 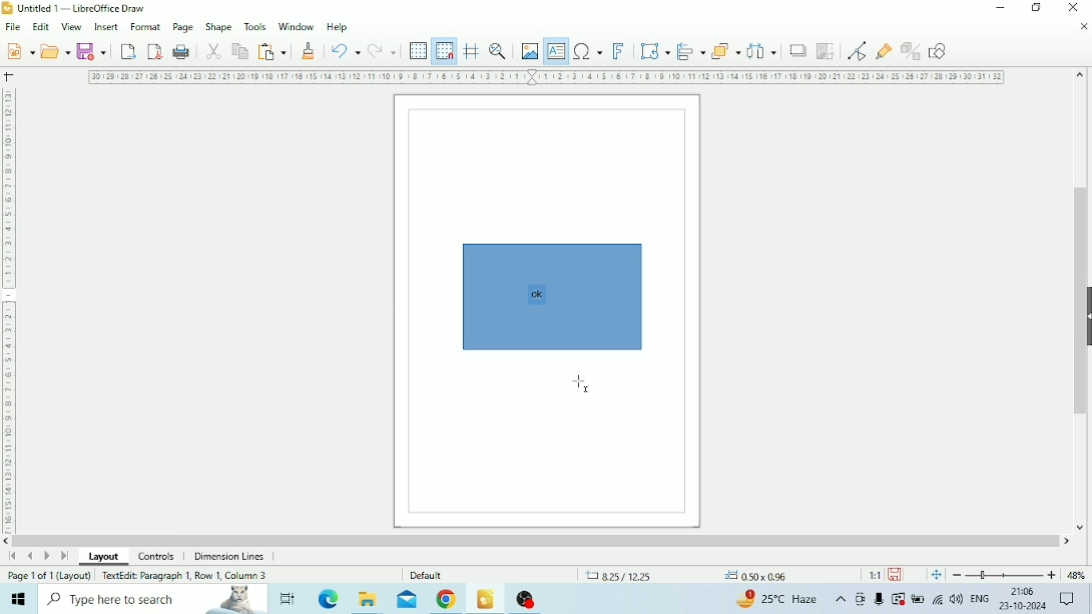 I want to click on Charging, plugged in, so click(x=917, y=599).